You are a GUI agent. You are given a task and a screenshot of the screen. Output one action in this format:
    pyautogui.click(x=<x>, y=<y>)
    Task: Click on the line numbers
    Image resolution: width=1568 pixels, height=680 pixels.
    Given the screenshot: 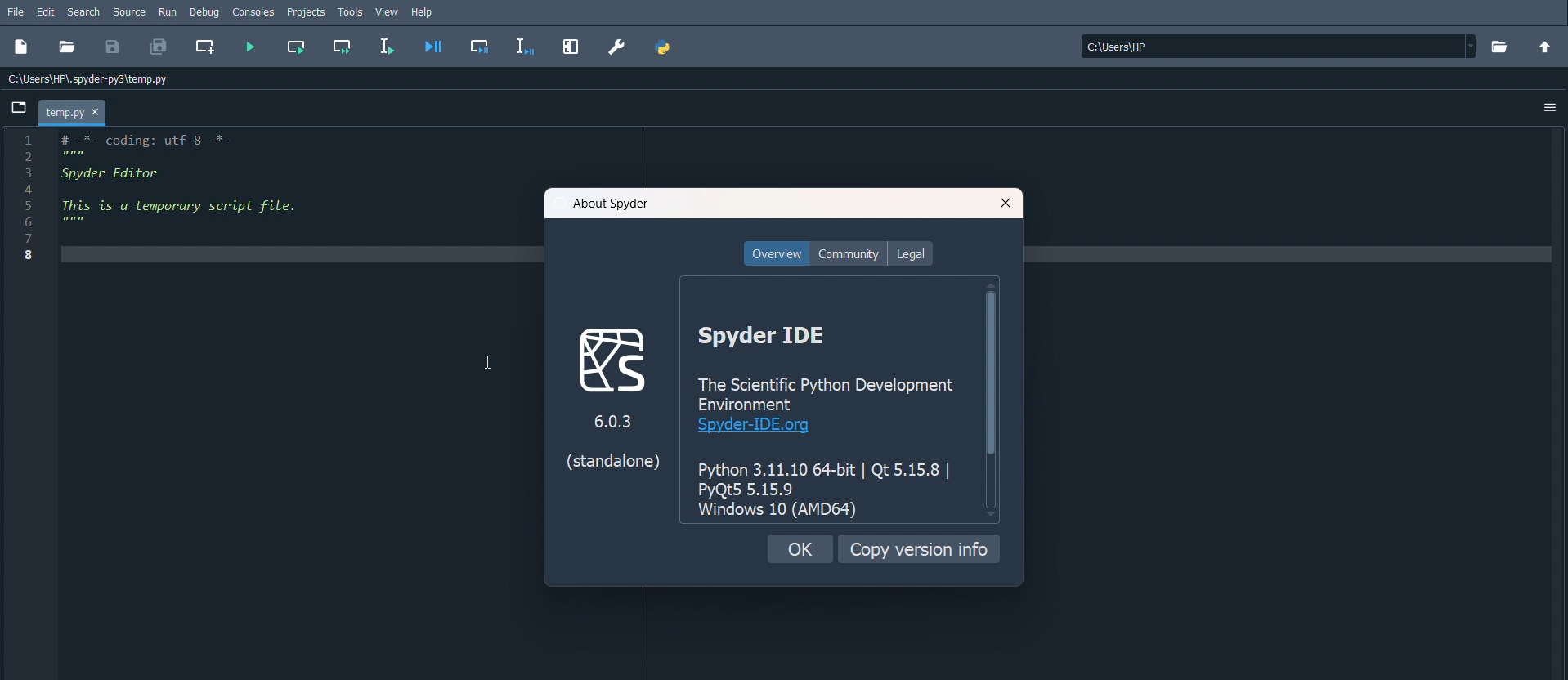 What is the action you would take?
    pyautogui.click(x=31, y=199)
    